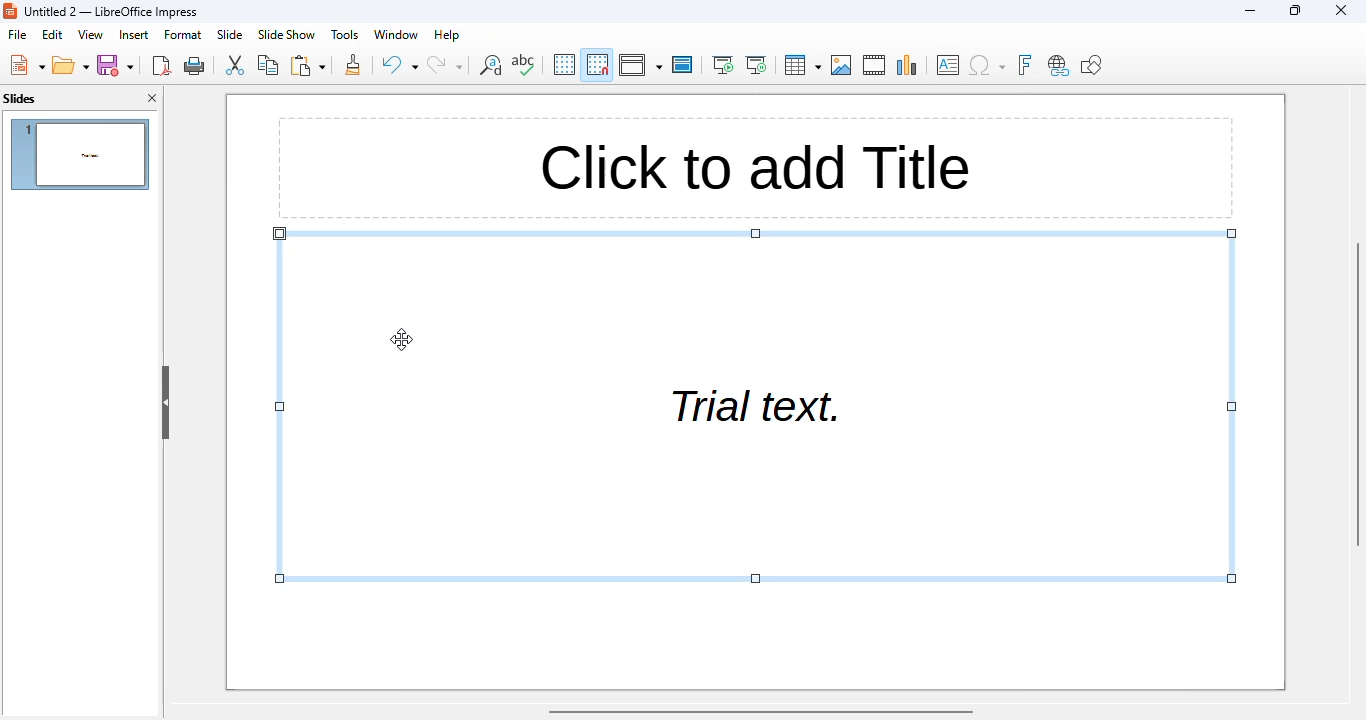 This screenshot has height=720, width=1366. Describe the element at coordinates (163, 65) in the screenshot. I see `export directly as PDF` at that location.